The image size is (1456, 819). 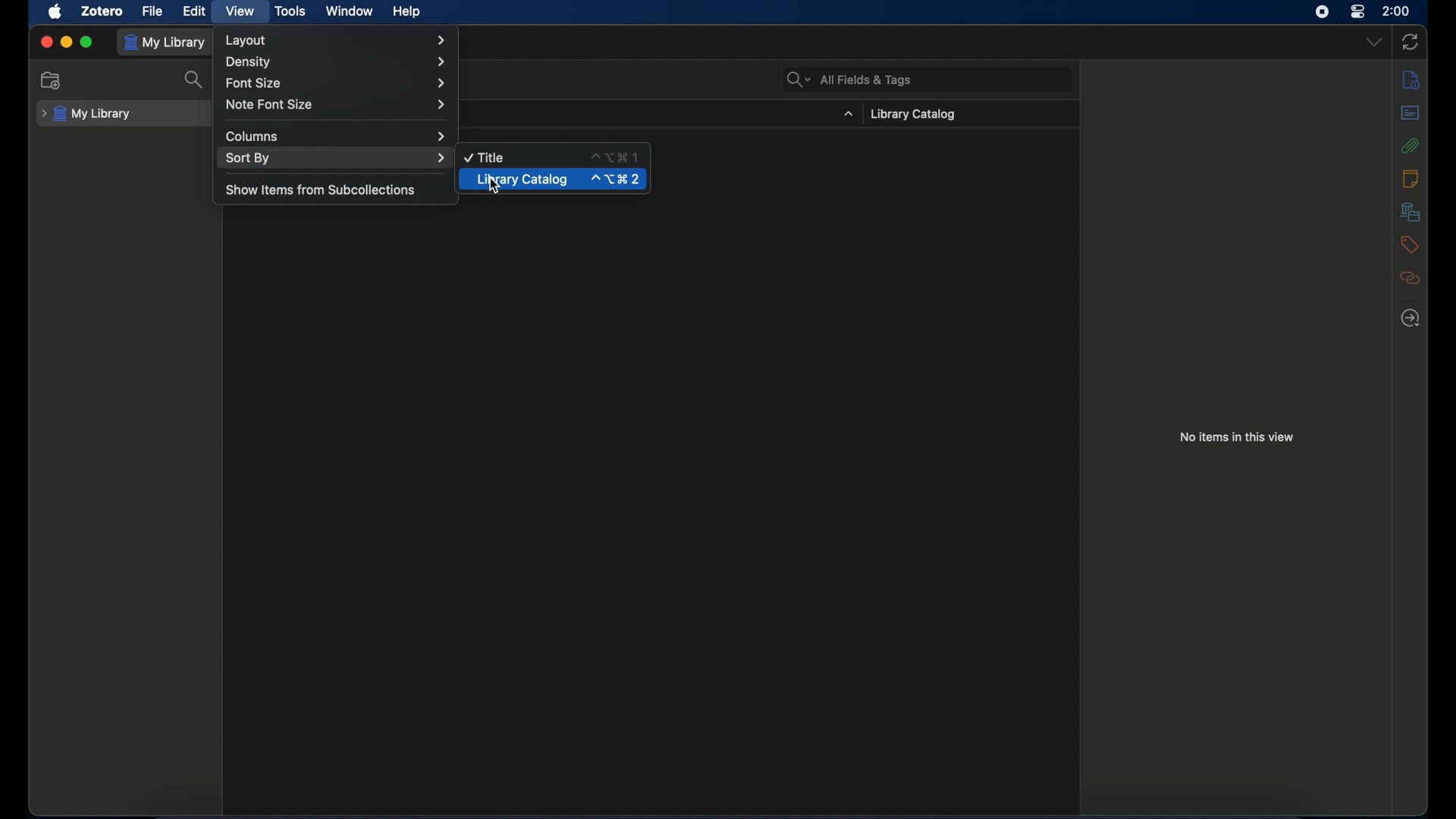 What do you see at coordinates (1237, 437) in the screenshot?
I see `no items in this view` at bounding box center [1237, 437].